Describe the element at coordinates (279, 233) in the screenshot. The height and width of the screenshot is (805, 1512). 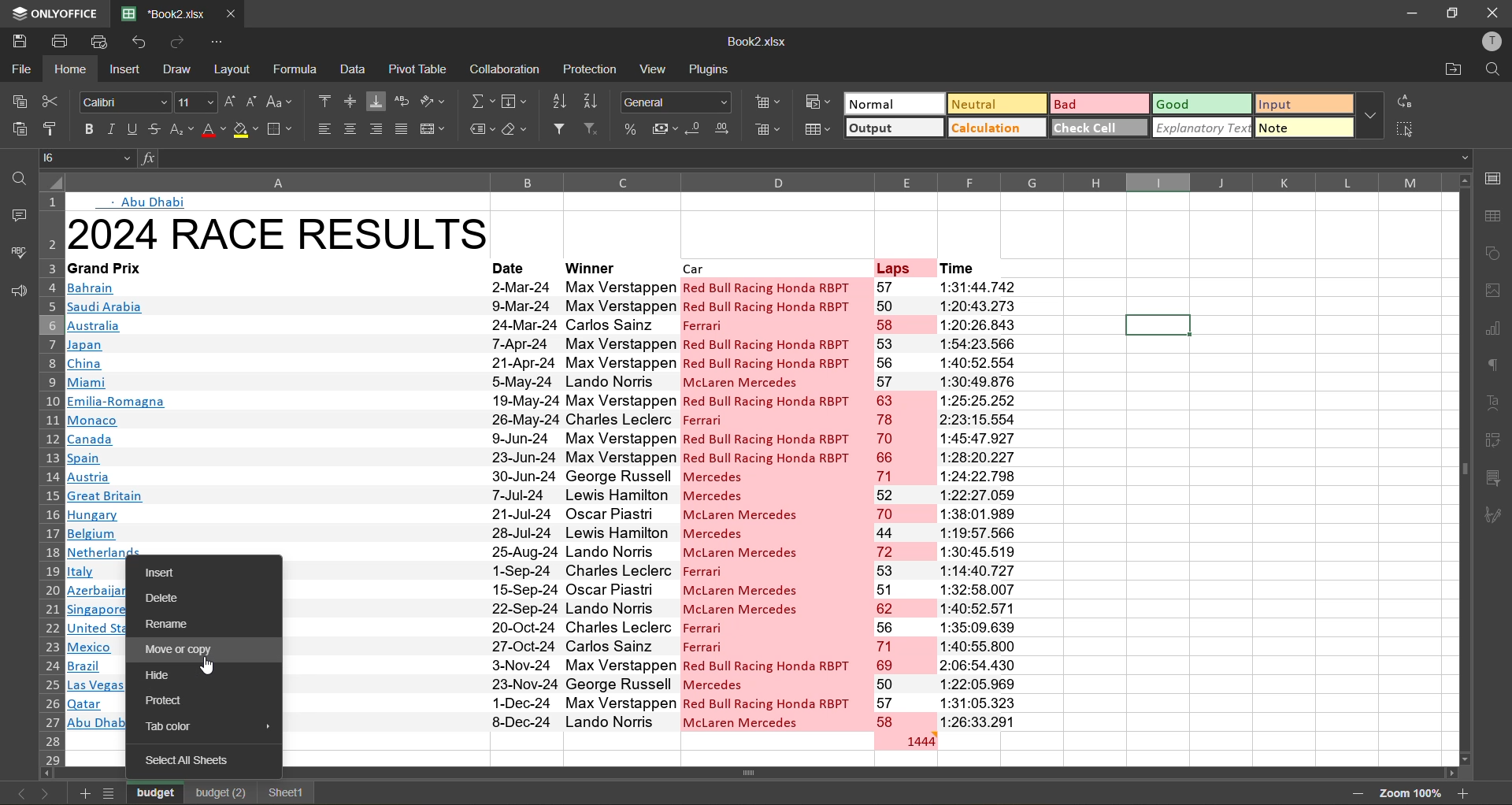
I see `title` at that location.